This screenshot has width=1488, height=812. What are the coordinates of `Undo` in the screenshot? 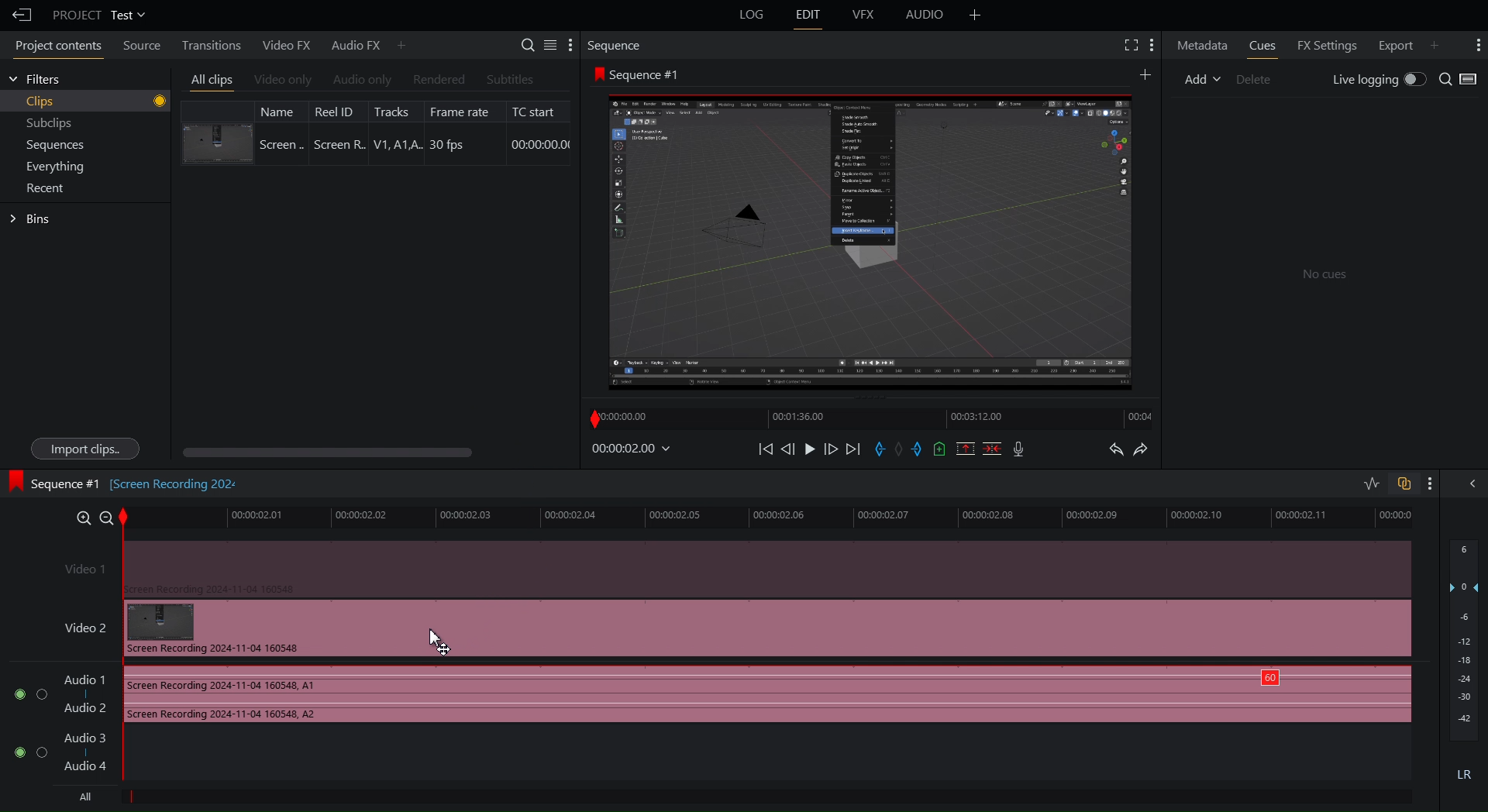 It's located at (1115, 451).